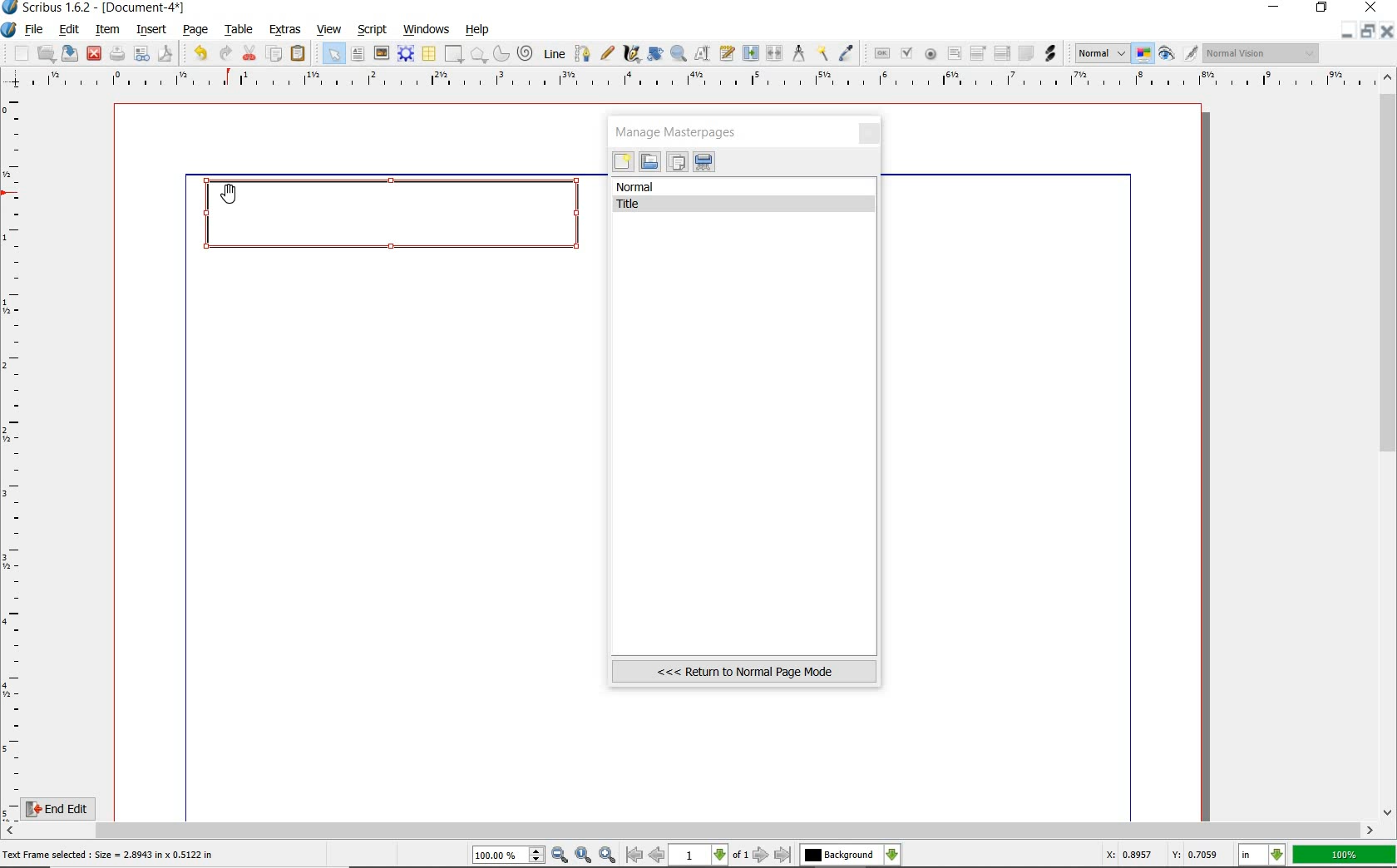  Describe the element at coordinates (1389, 443) in the screenshot. I see `scrollbar` at that location.